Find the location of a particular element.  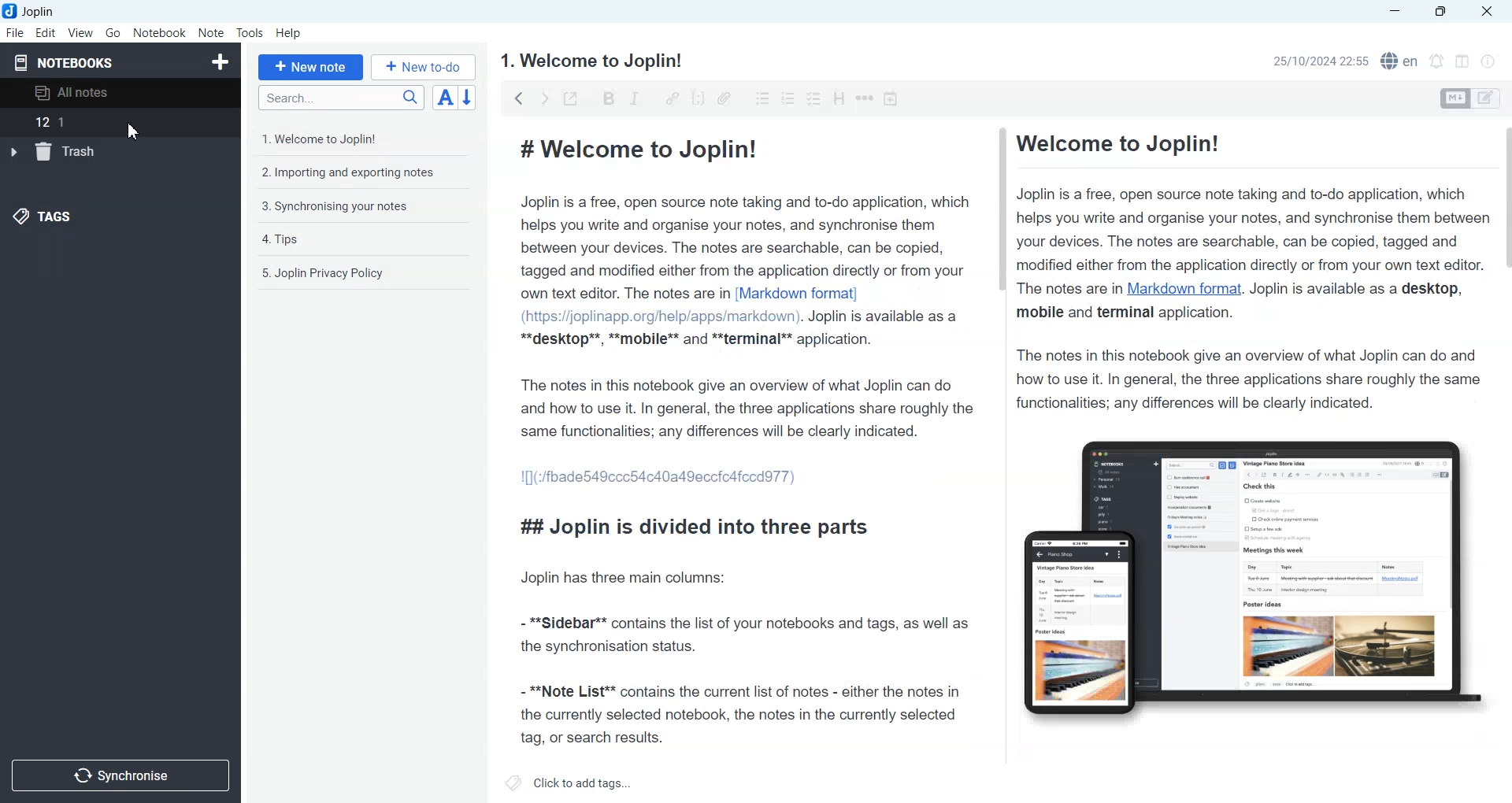

Note is located at coordinates (210, 33).